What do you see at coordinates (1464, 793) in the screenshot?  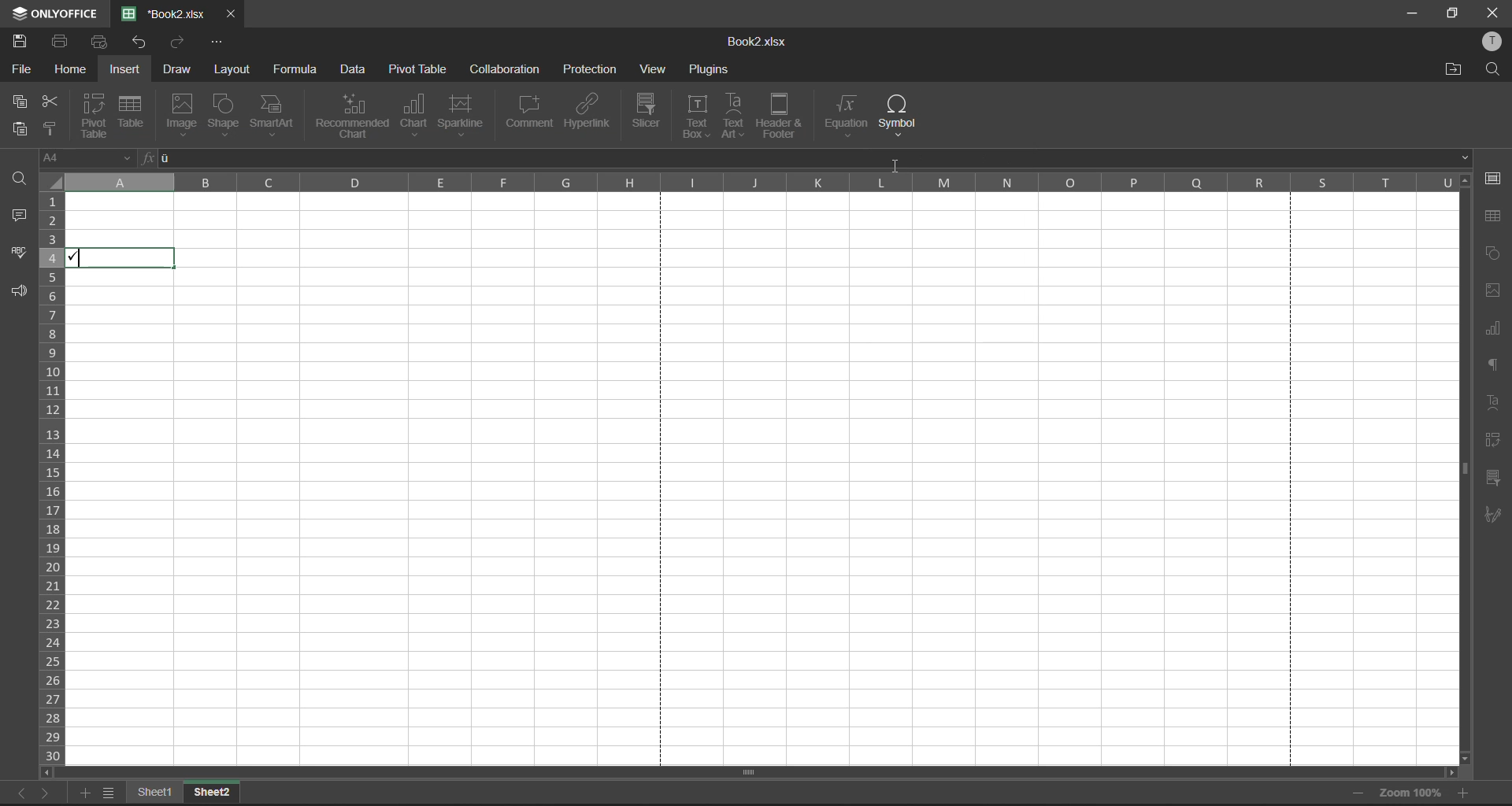 I see `zoom in` at bounding box center [1464, 793].